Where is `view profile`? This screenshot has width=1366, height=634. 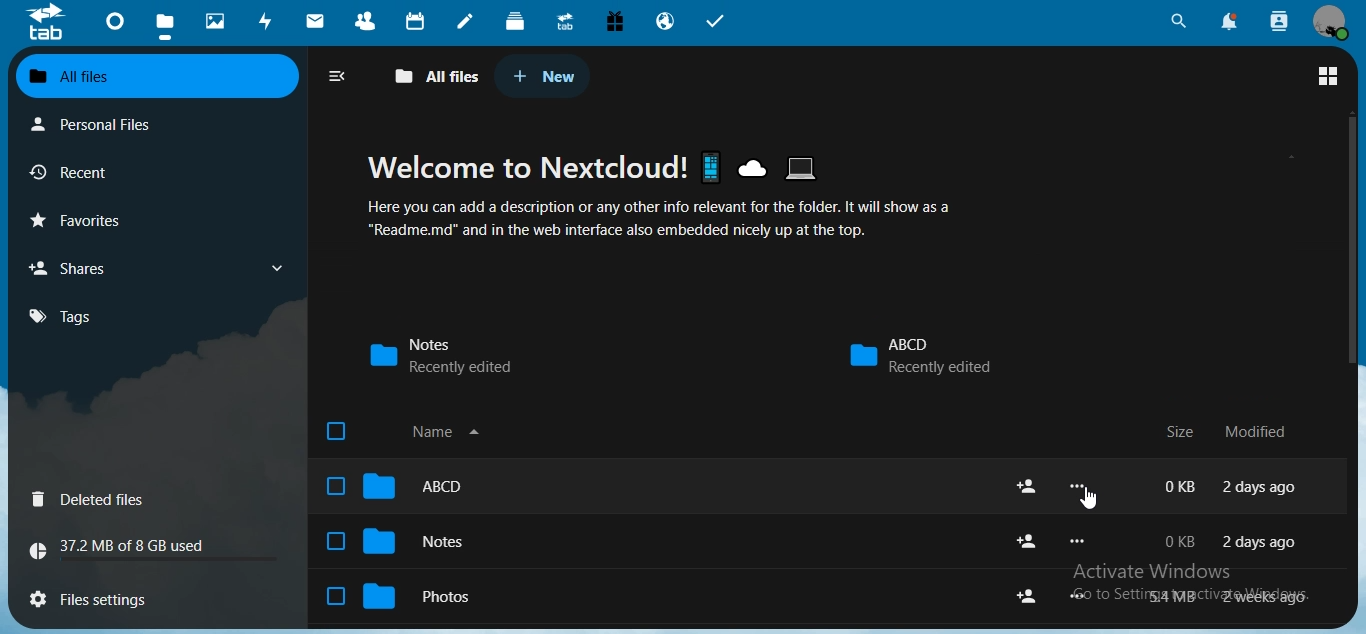 view profile is located at coordinates (1330, 23).